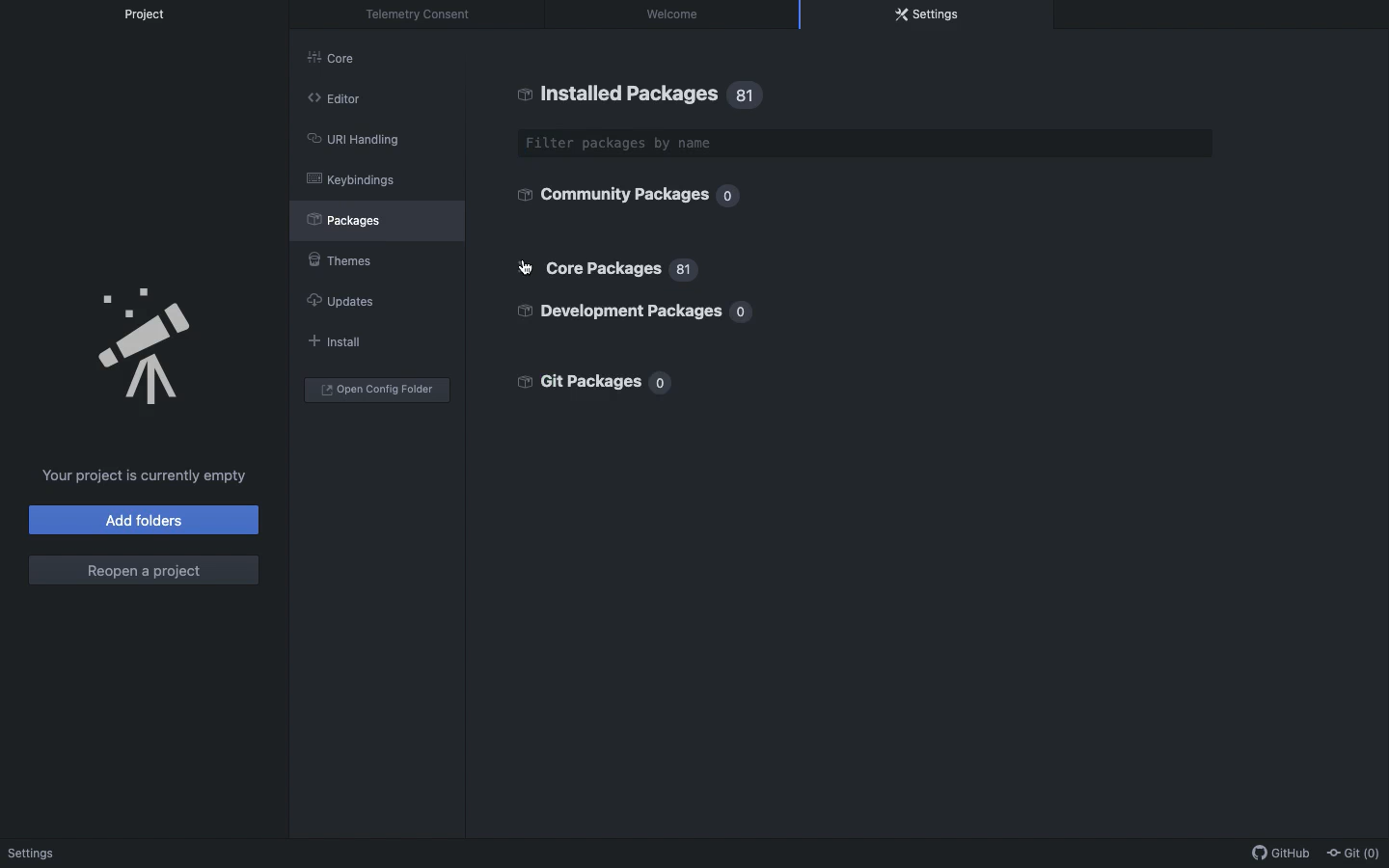  I want to click on Packages, so click(354, 219).